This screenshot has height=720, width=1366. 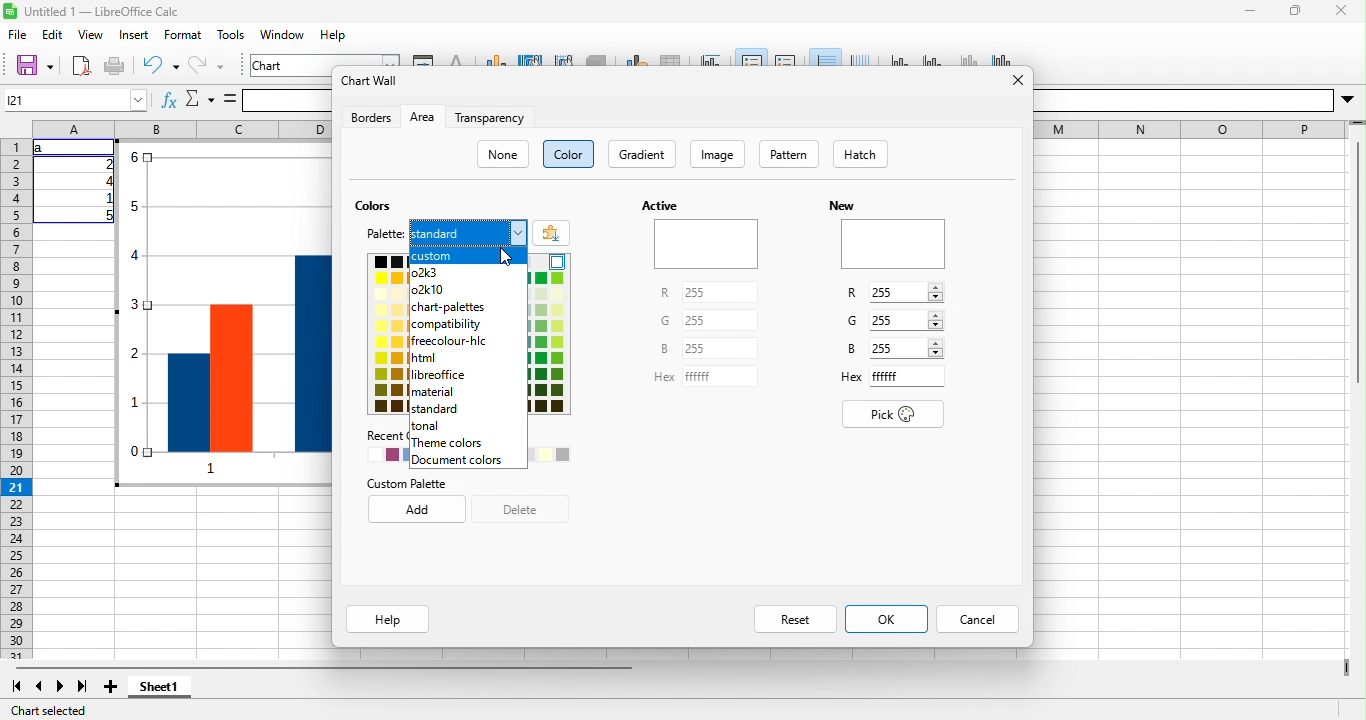 What do you see at coordinates (712, 59) in the screenshot?
I see `title` at bounding box center [712, 59].